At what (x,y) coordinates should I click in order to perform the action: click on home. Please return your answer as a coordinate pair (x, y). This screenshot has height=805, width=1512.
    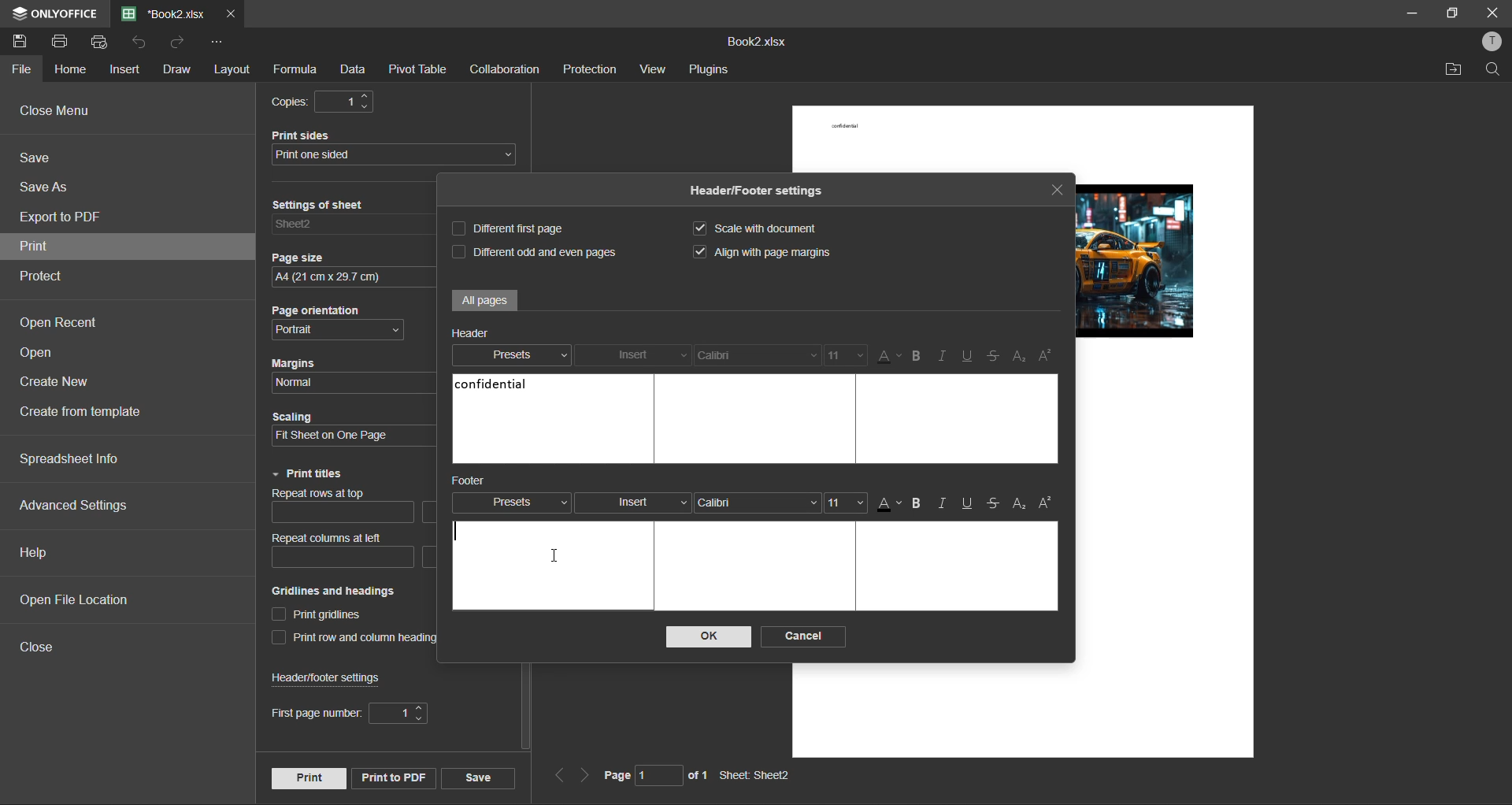
    Looking at the image, I should click on (69, 69).